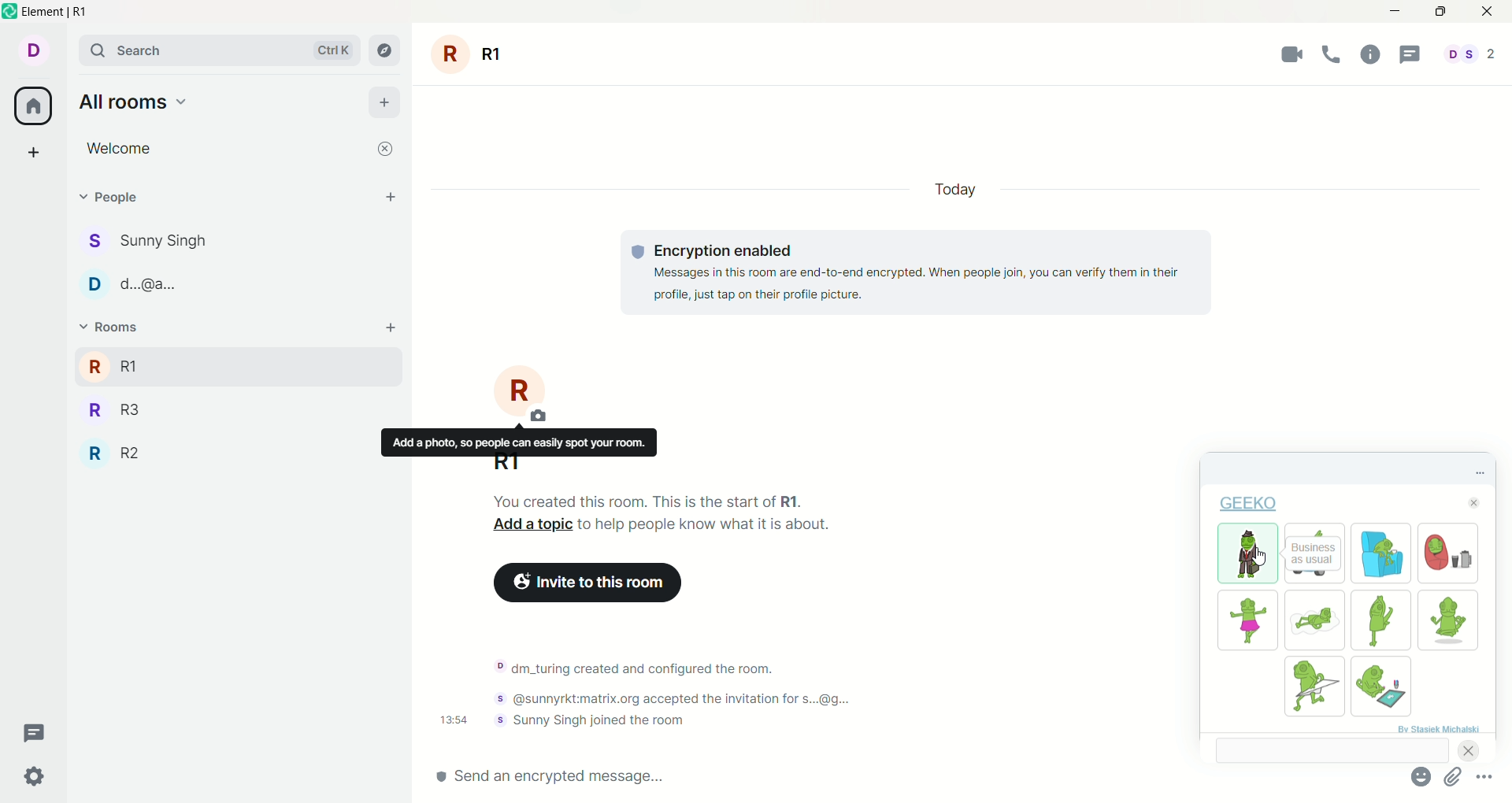 Image resolution: width=1512 pixels, height=803 pixels. Describe the element at coordinates (821, 777) in the screenshot. I see `send an encrypted message` at that location.